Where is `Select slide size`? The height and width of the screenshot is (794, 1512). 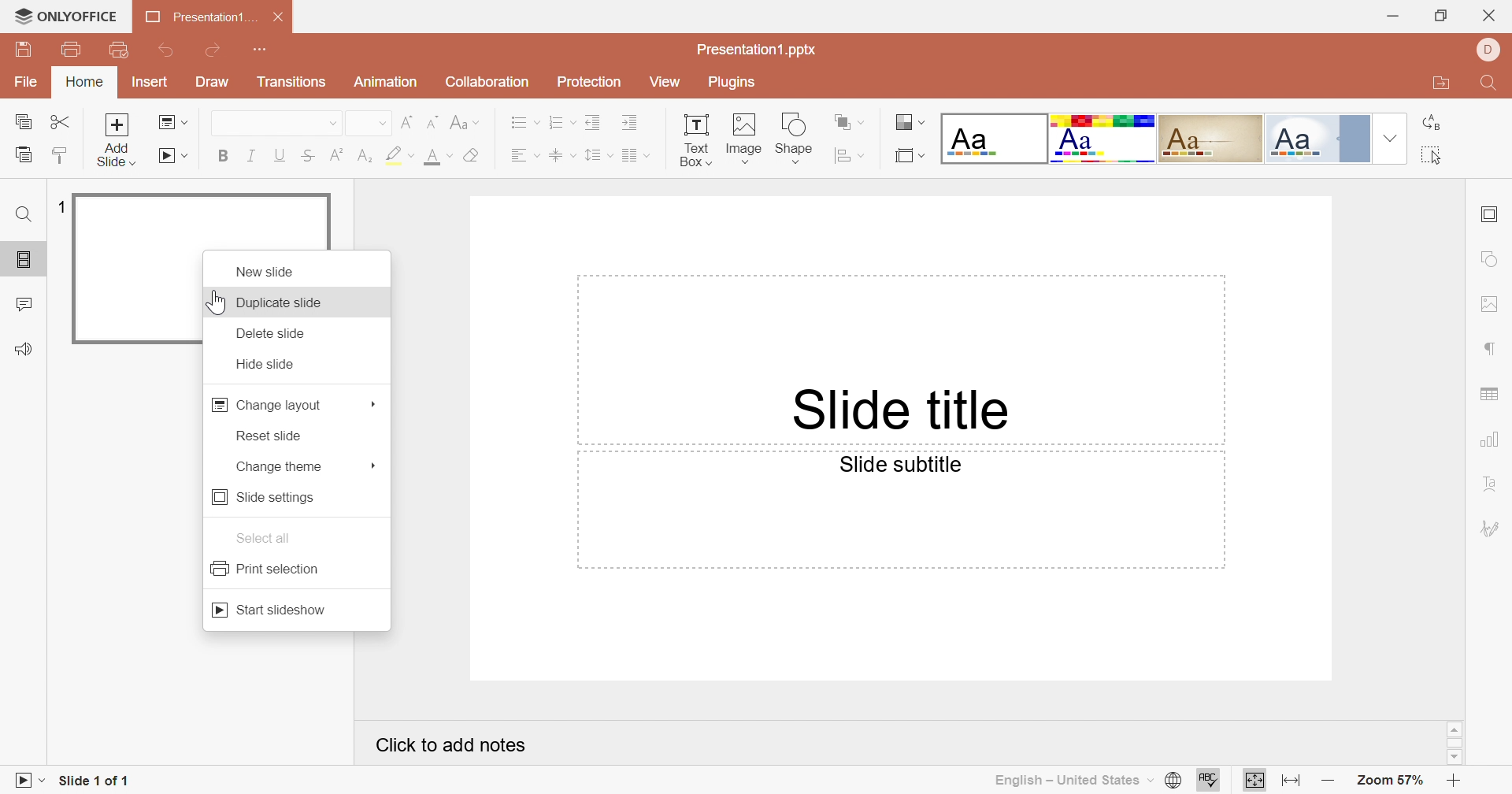 Select slide size is located at coordinates (910, 155).